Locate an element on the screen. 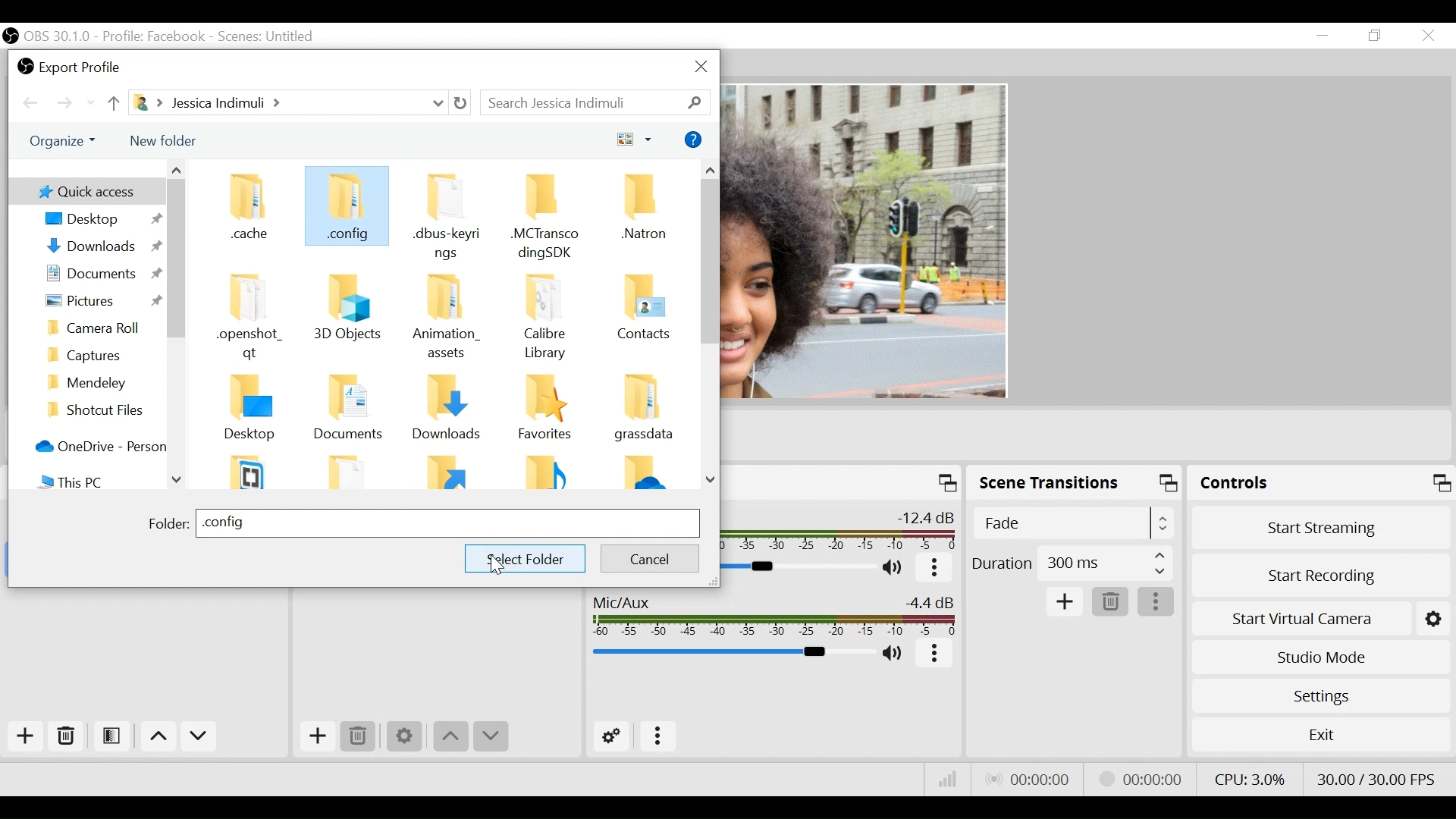  Start Virtual Camera is located at coordinates (1322, 620).